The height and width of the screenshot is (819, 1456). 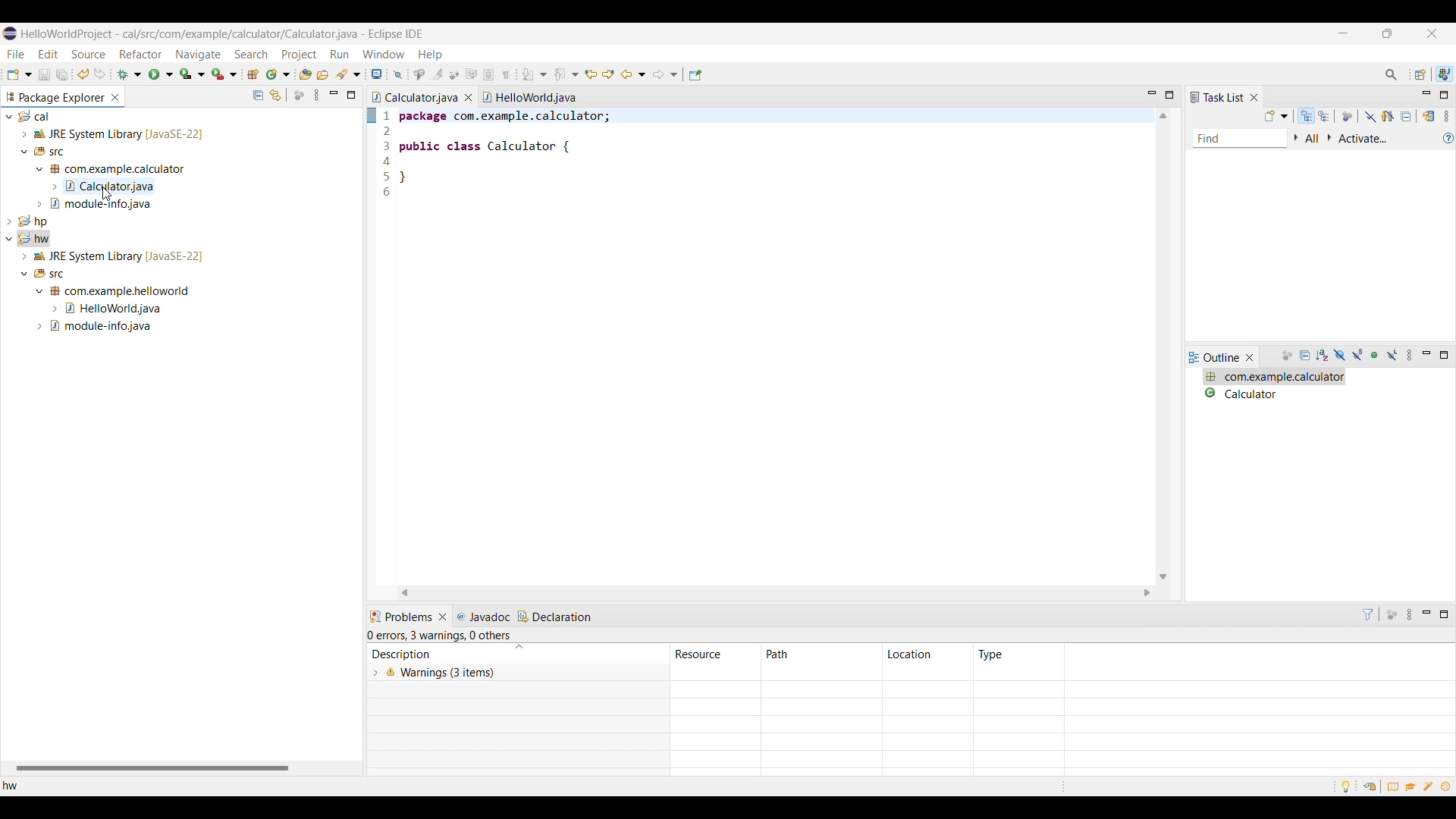 I want to click on Quick slide to bottom, so click(x=1163, y=577).